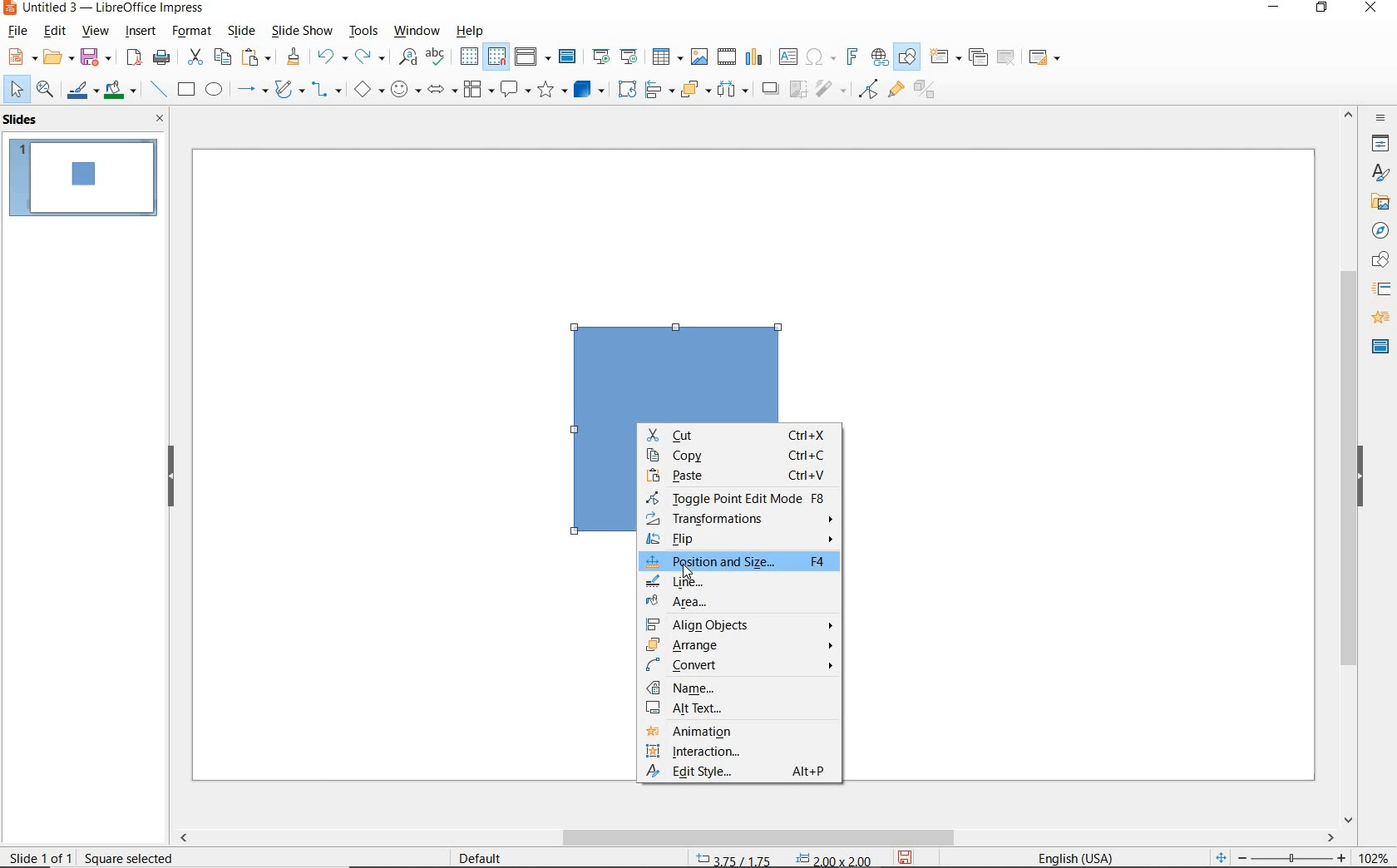 The width and height of the screenshot is (1397, 868). What do you see at coordinates (787, 56) in the screenshot?
I see `insert text box` at bounding box center [787, 56].